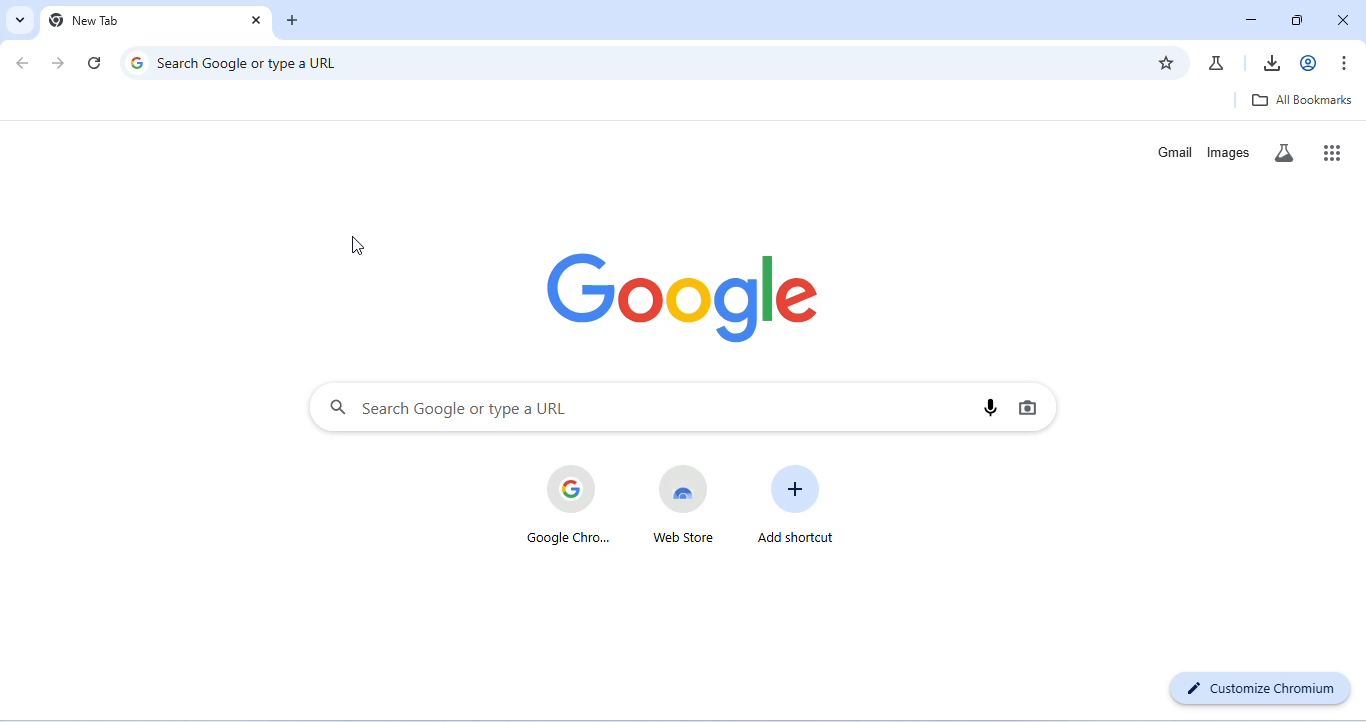 The width and height of the screenshot is (1366, 722). Describe the element at coordinates (1229, 152) in the screenshot. I see `images` at that location.